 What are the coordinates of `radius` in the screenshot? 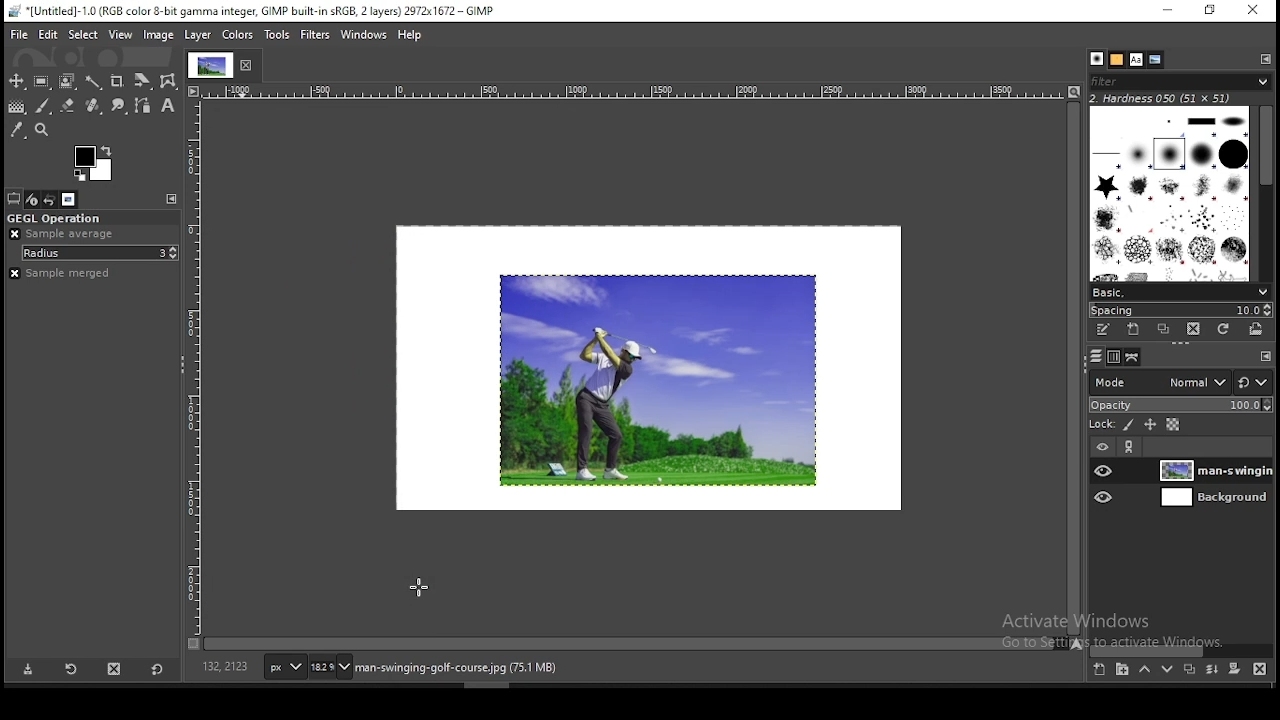 It's located at (100, 253).